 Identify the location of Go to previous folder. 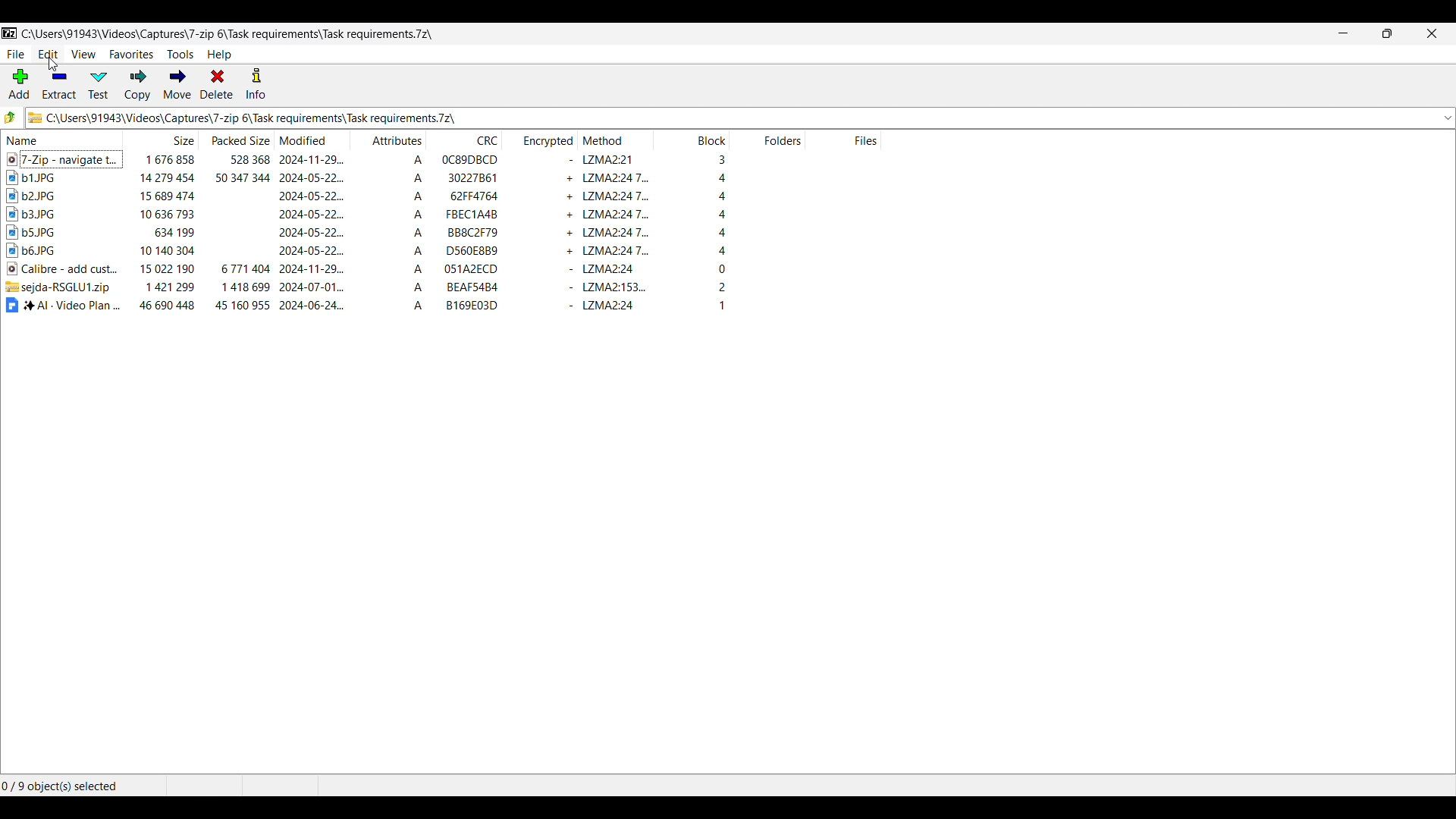
(11, 117).